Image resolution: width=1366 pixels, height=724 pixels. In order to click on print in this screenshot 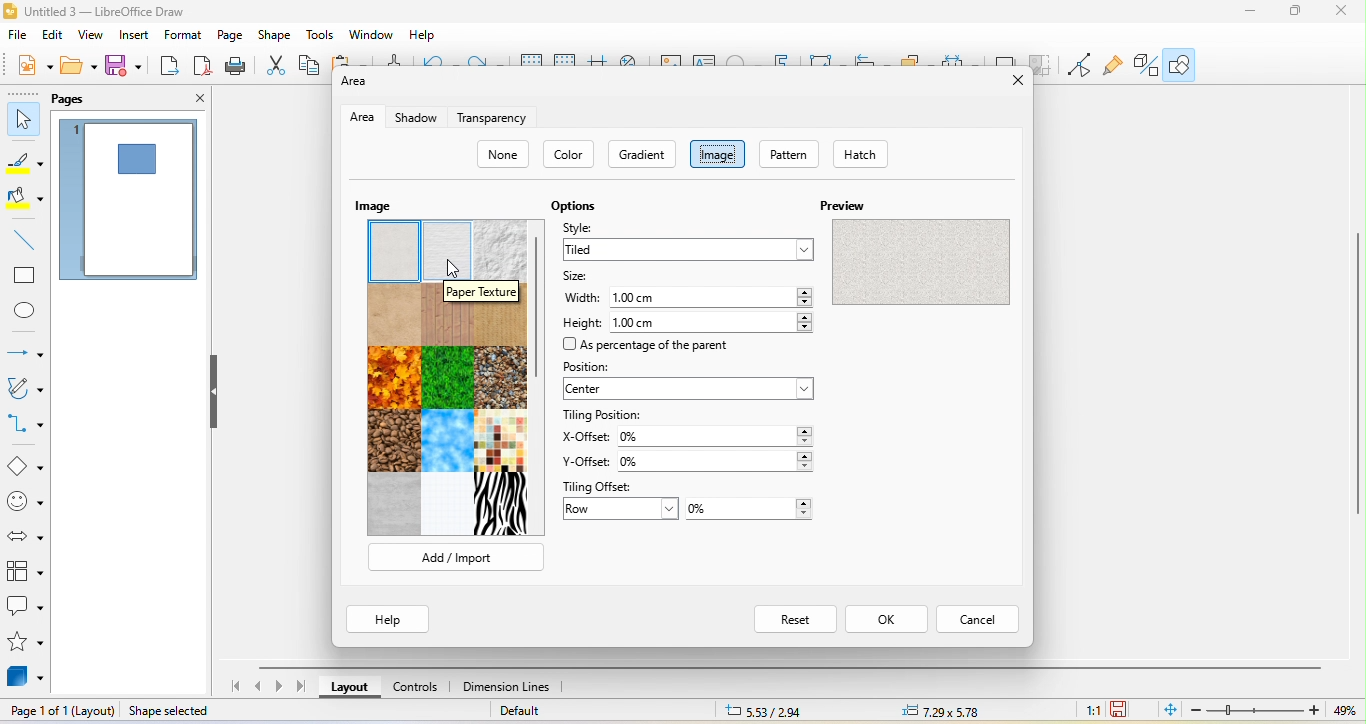, I will do `click(240, 68)`.